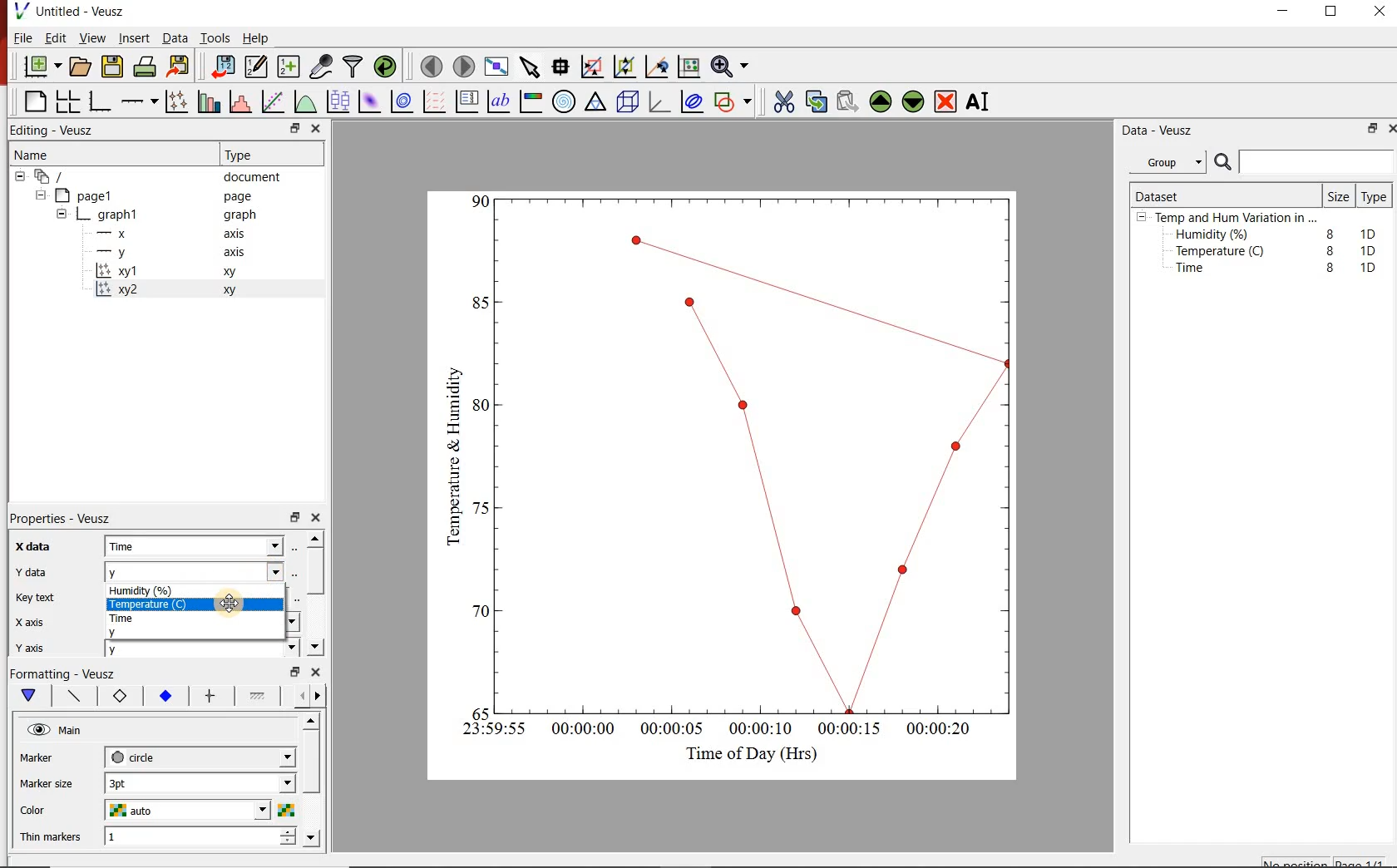 This screenshot has width=1397, height=868. I want to click on 0.4, so click(481, 508).